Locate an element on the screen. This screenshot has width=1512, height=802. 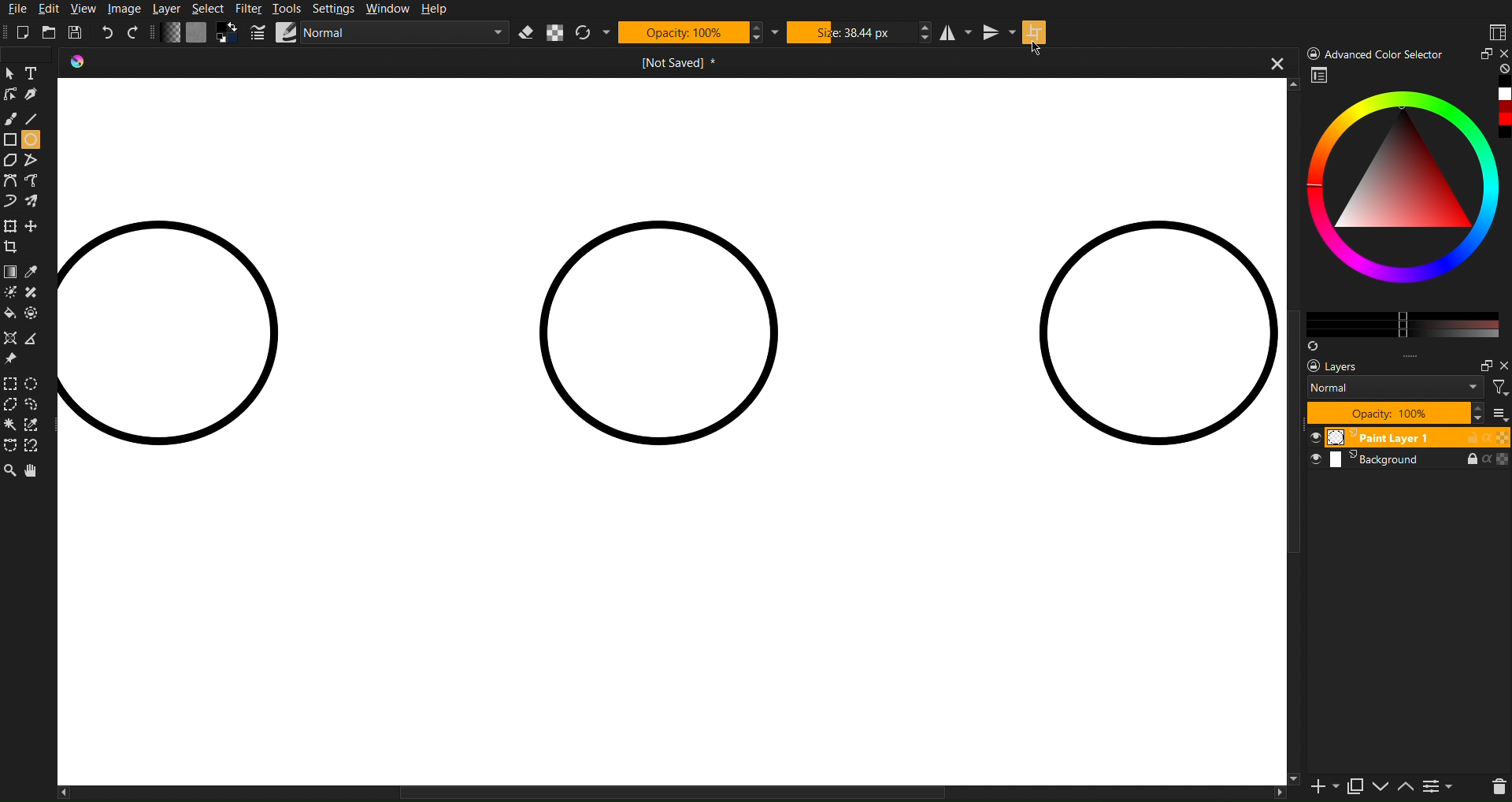
vertical scroll bar is located at coordinates (1284, 389).